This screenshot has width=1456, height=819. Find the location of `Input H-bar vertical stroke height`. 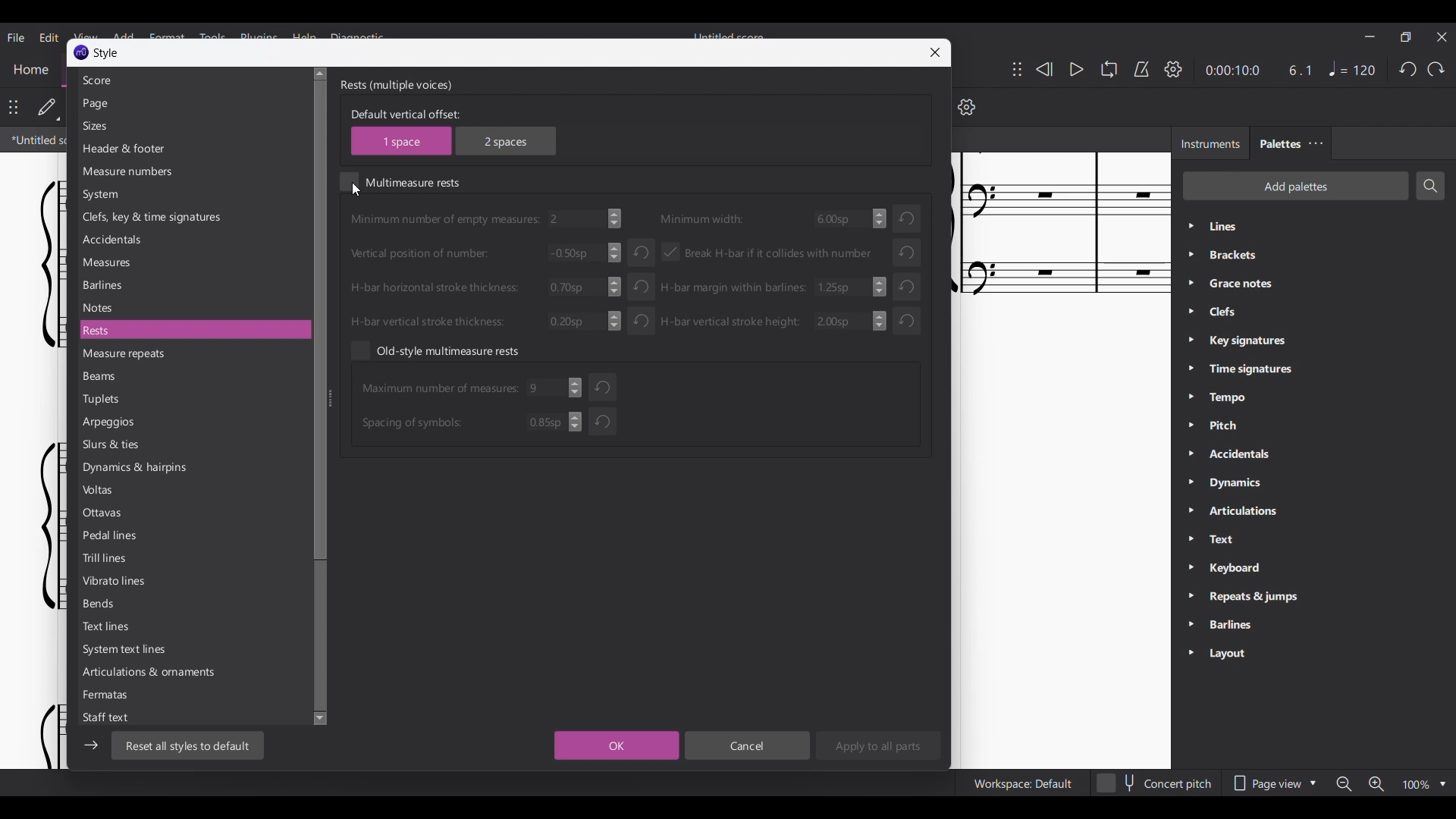

Input H-bar vertical stroke height is located at coordinates (764, 321).